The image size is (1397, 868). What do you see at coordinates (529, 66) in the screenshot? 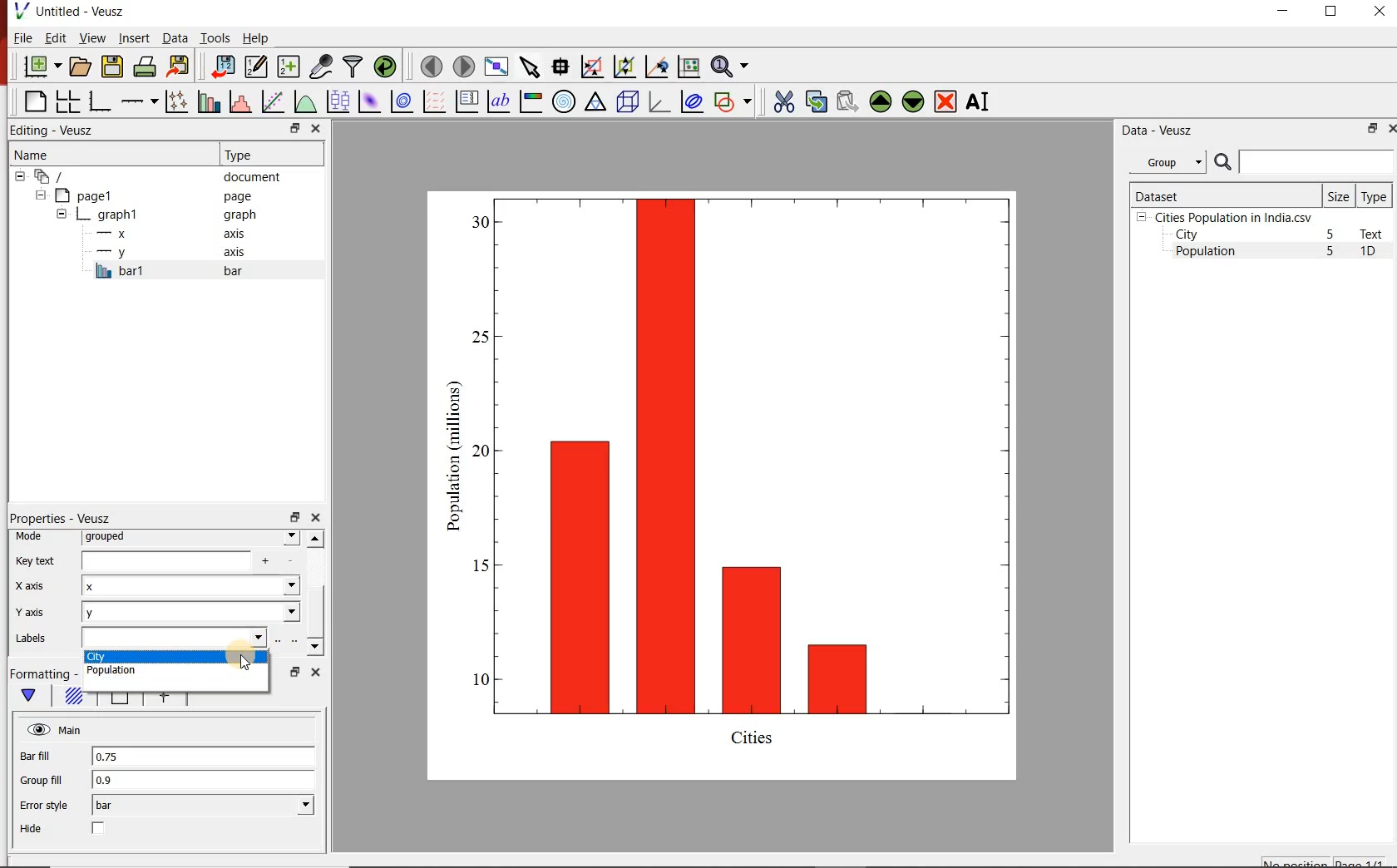
I see `select items from the graph or scroll` at bounding box center [529, 66].